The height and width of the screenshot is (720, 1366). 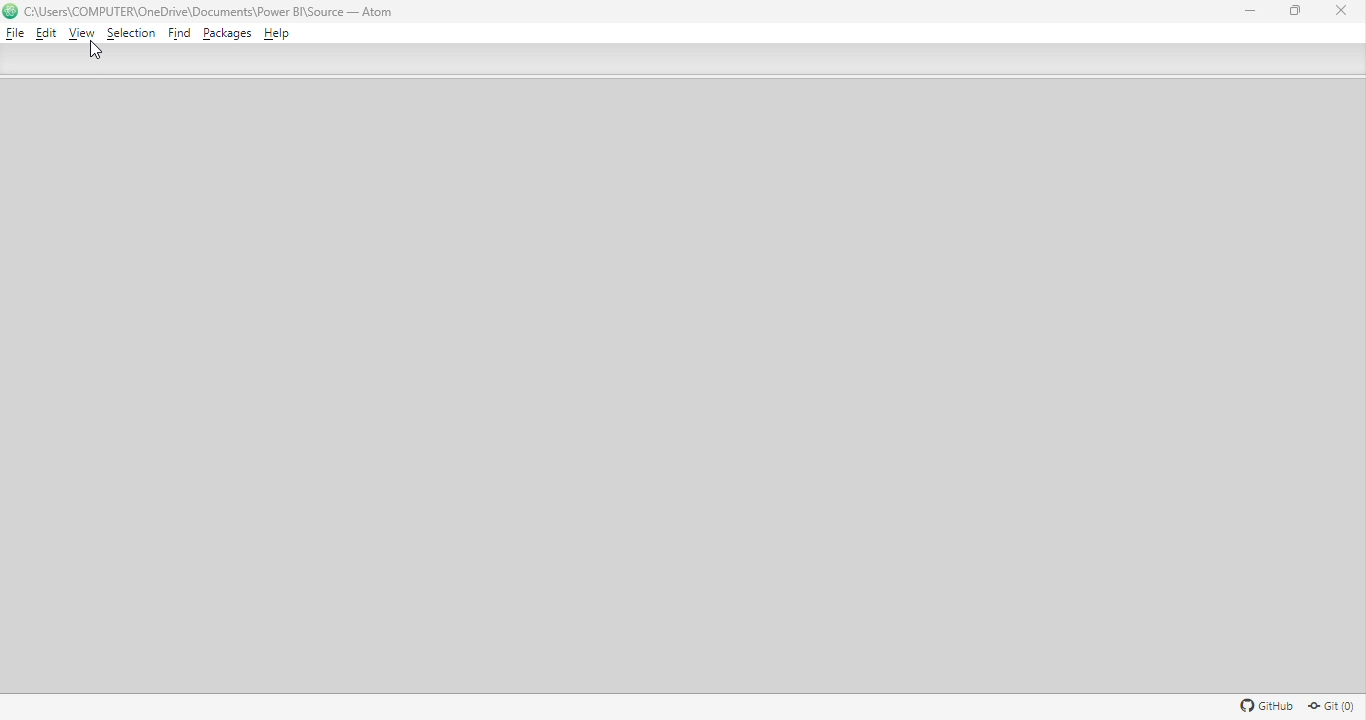 What do you see at coordinates (84, 34) in the screenshot?
I see `View` at bounding box center [84, 34].